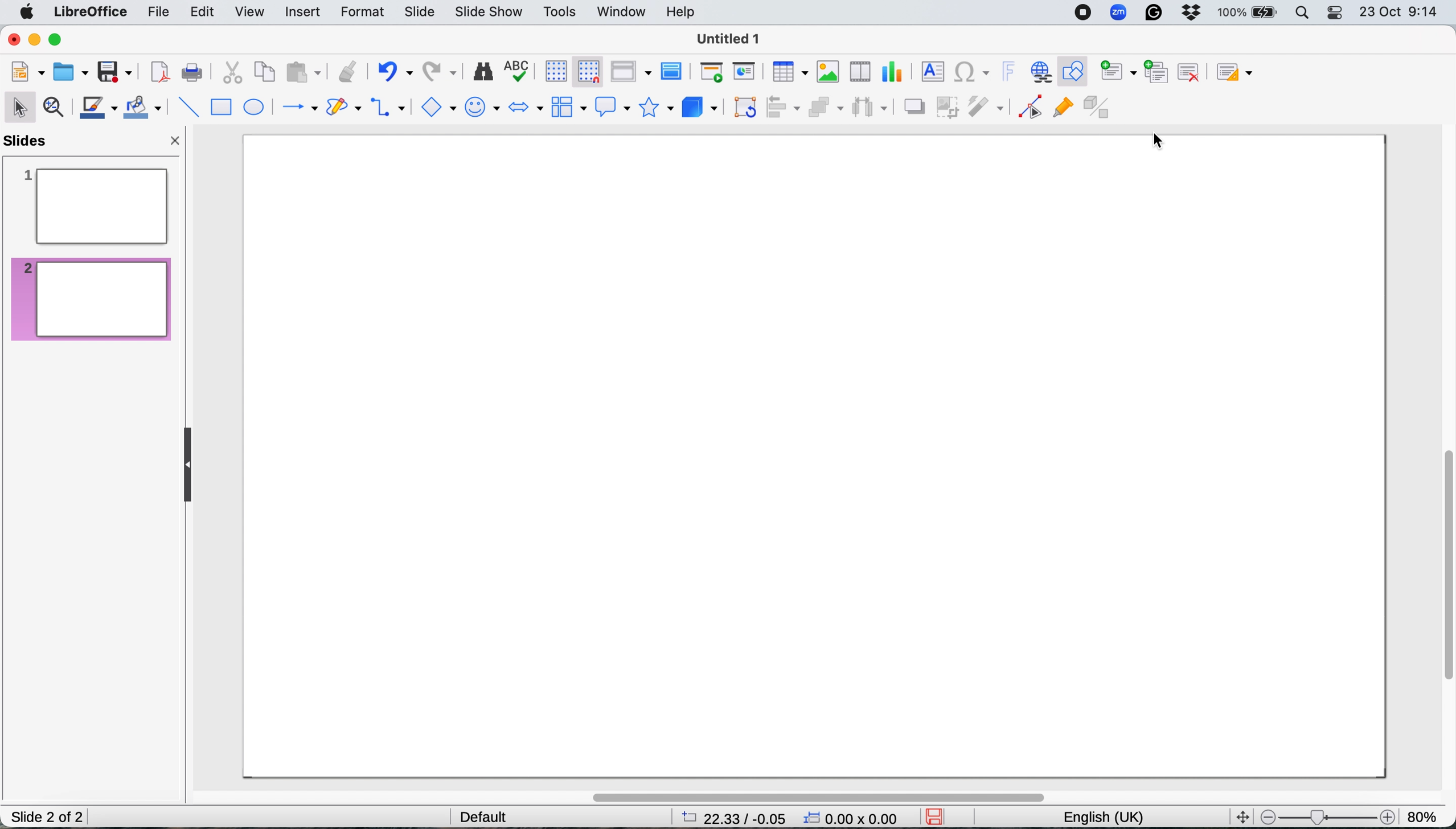 This screenshot has height=829, width=1456. What do you see at coordinates (183, 466) in the screenshot?
I see `collapse` at bounding box center [183, 466].